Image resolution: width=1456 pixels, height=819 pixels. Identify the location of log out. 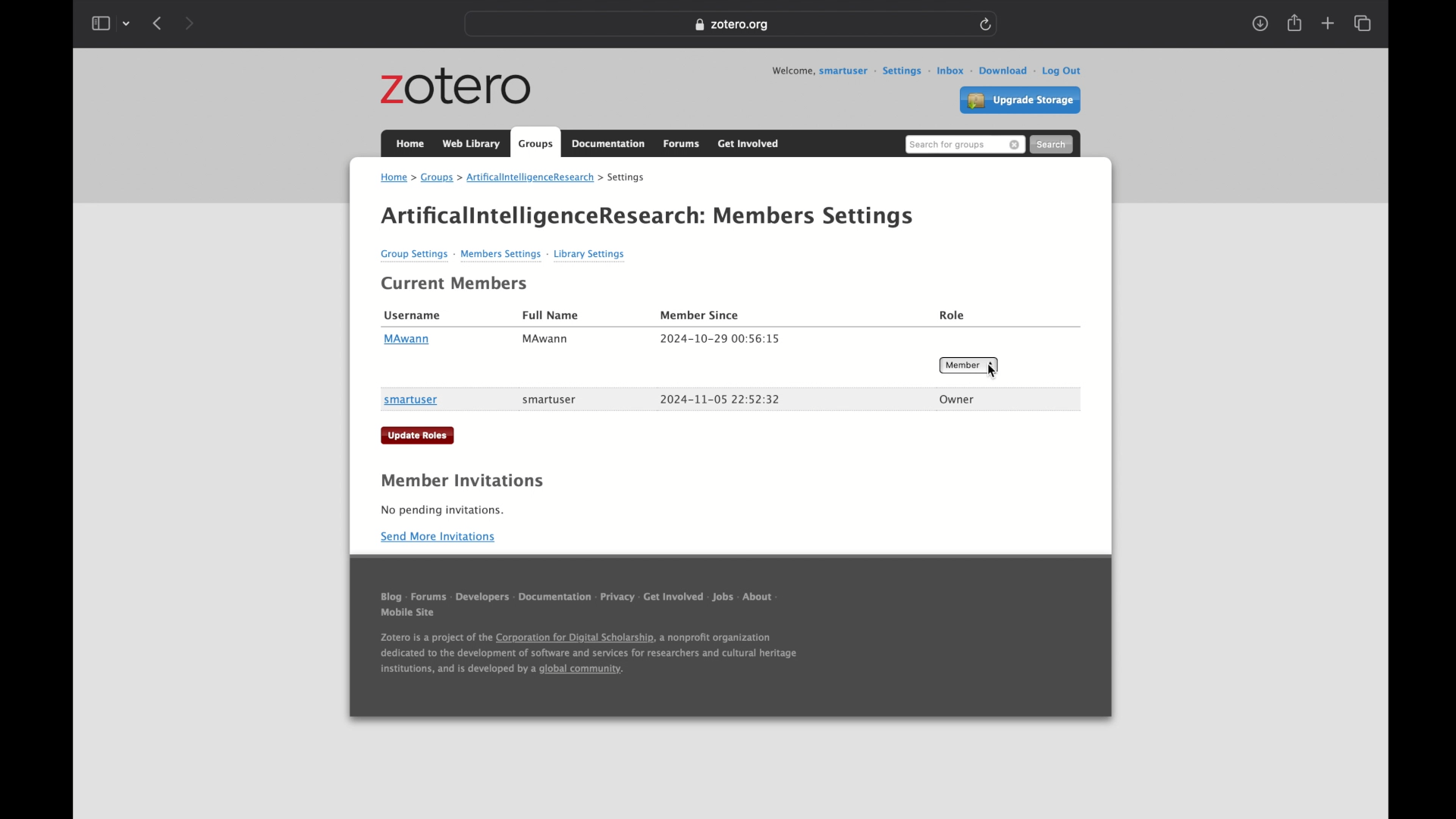
(1057, 71).